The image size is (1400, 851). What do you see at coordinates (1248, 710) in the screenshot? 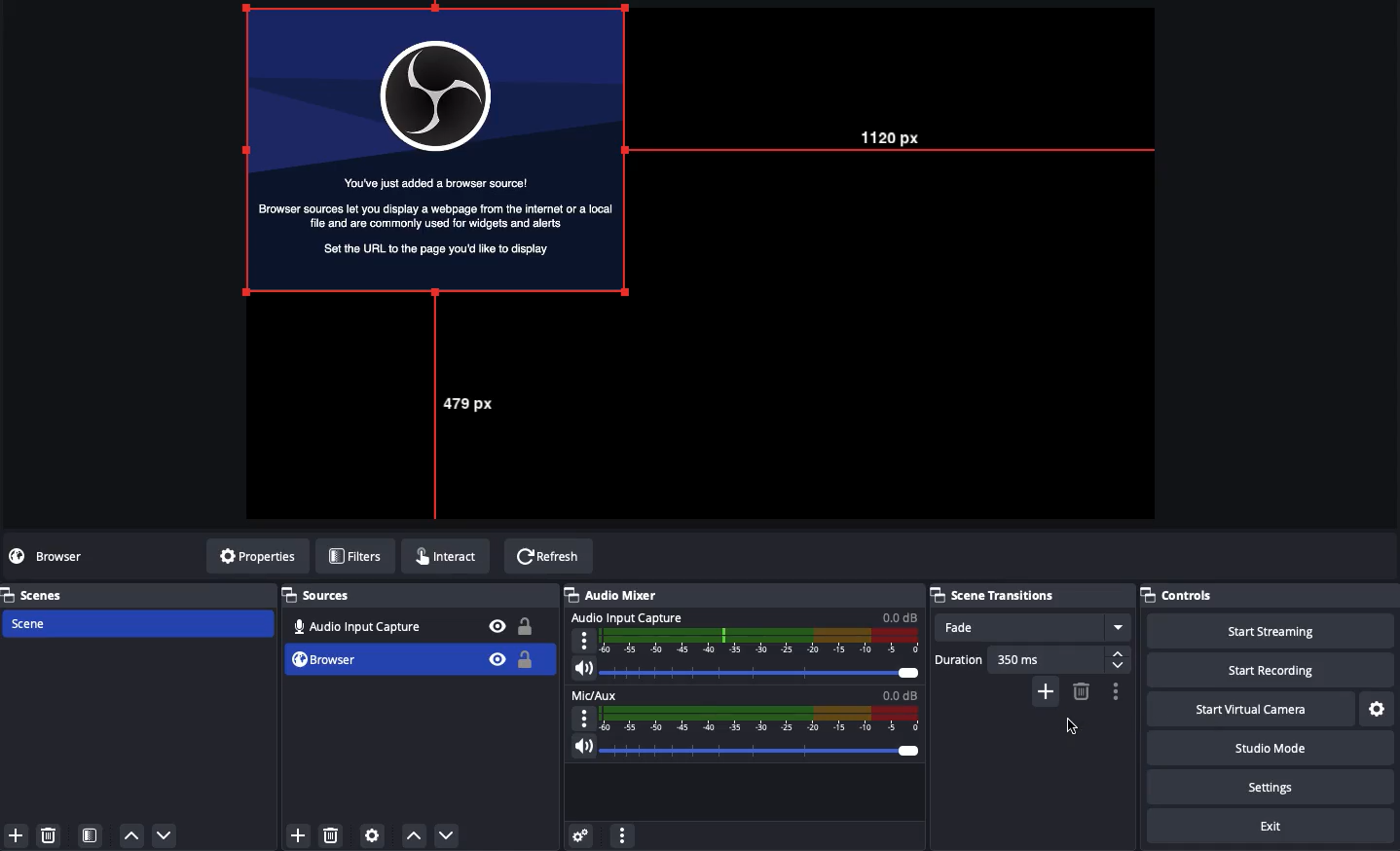
I see `Start virtual camera` at bounding box center [1248, 710].